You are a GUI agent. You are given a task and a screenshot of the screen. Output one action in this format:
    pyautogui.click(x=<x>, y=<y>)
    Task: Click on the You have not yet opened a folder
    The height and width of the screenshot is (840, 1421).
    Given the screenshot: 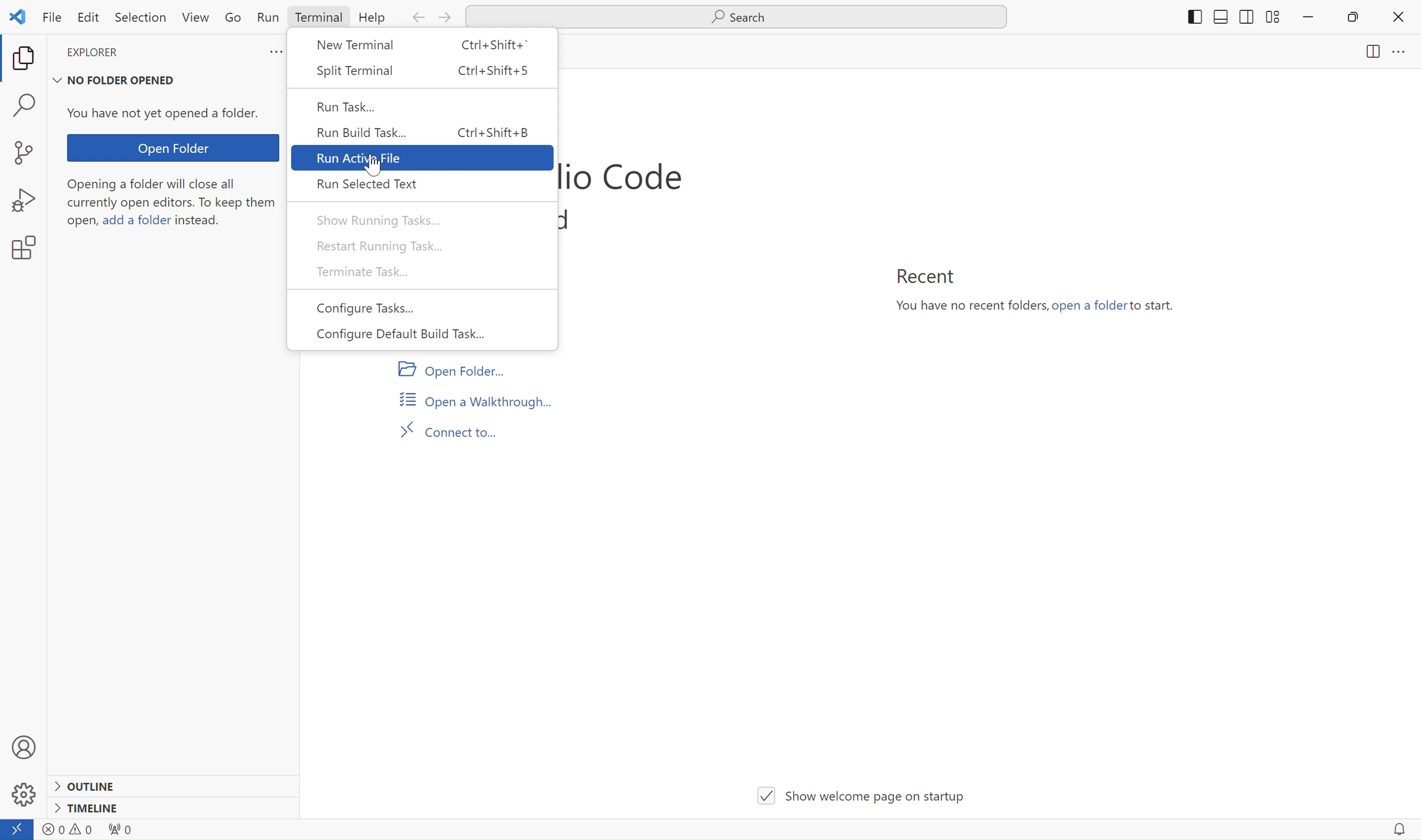 What is the action you would take?
    pyautogui.click(x=169, y=114)
    